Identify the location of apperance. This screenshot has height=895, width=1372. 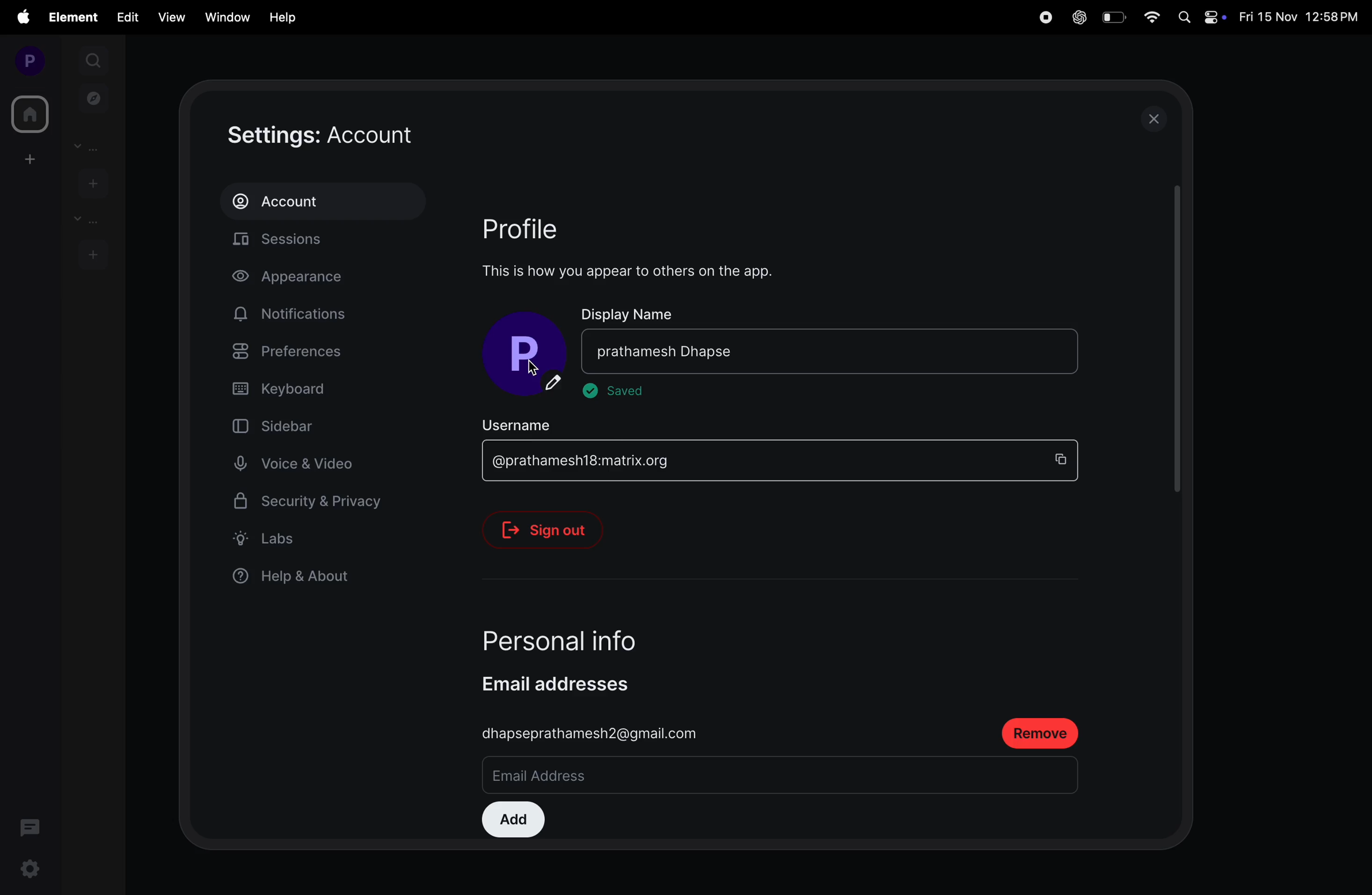
(305, 279).